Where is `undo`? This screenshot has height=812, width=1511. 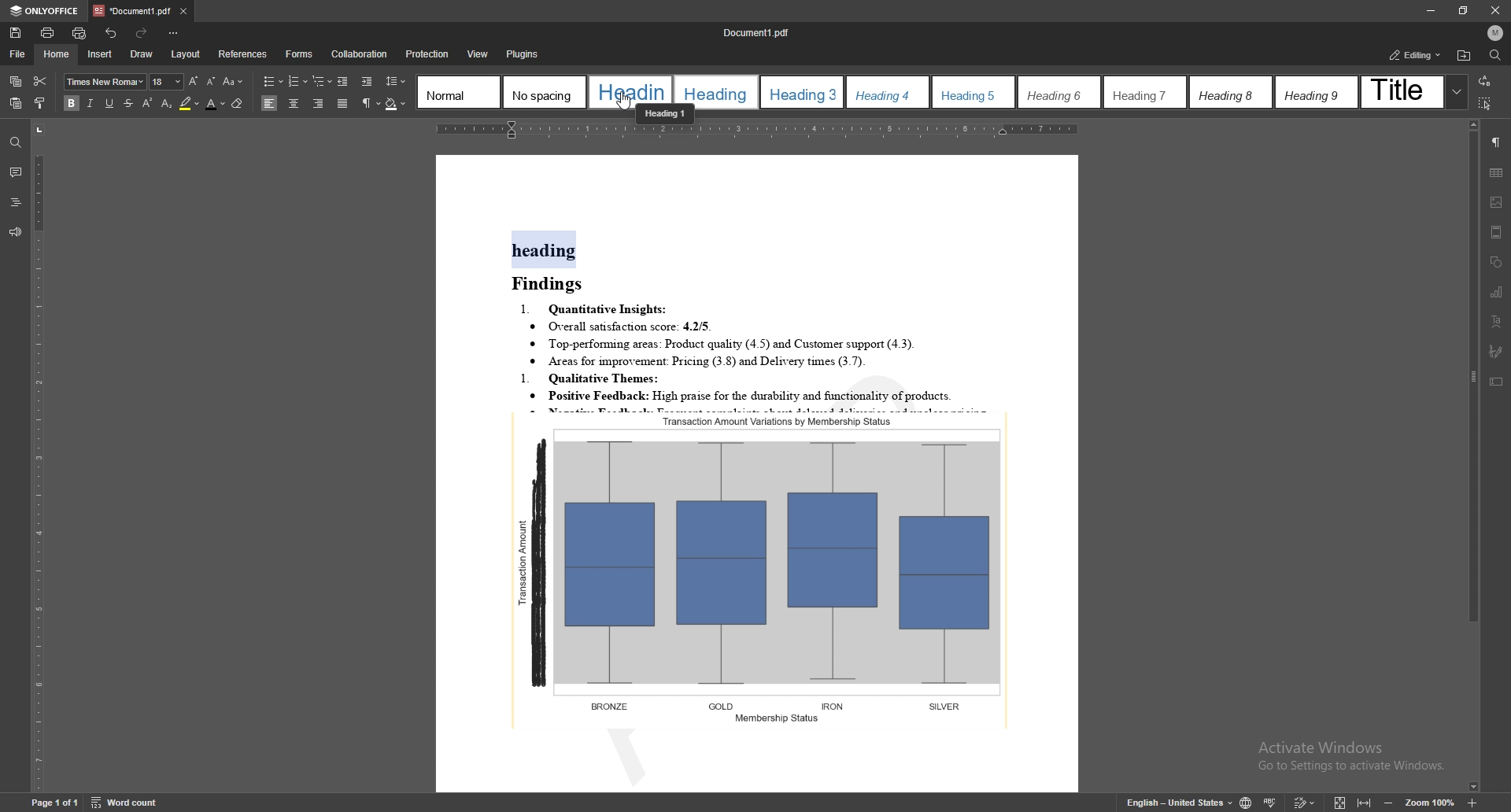 undo is located at coordinates (111, 34).